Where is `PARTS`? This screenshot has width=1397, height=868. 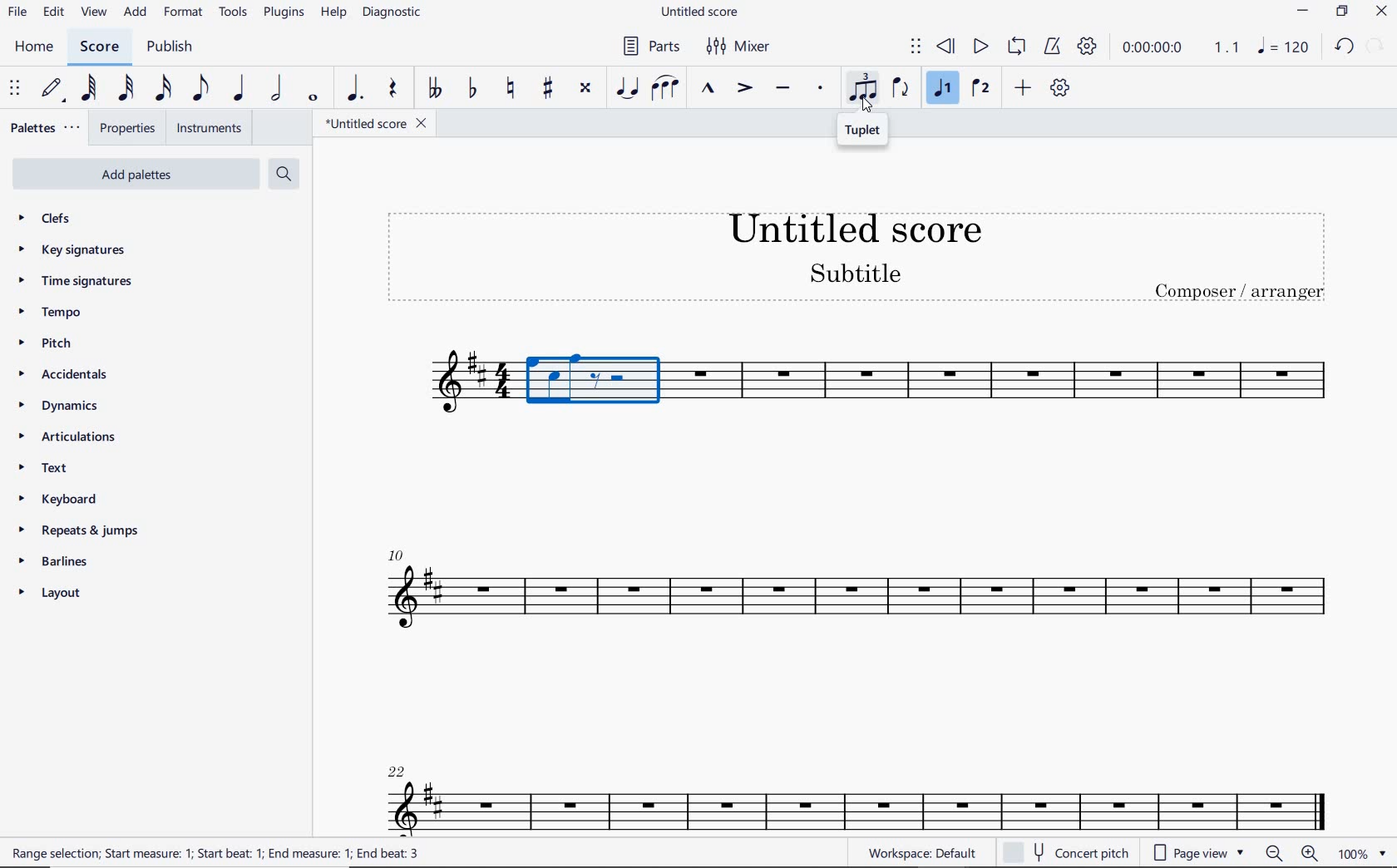 PARTS is located at coordinates (653, 46).